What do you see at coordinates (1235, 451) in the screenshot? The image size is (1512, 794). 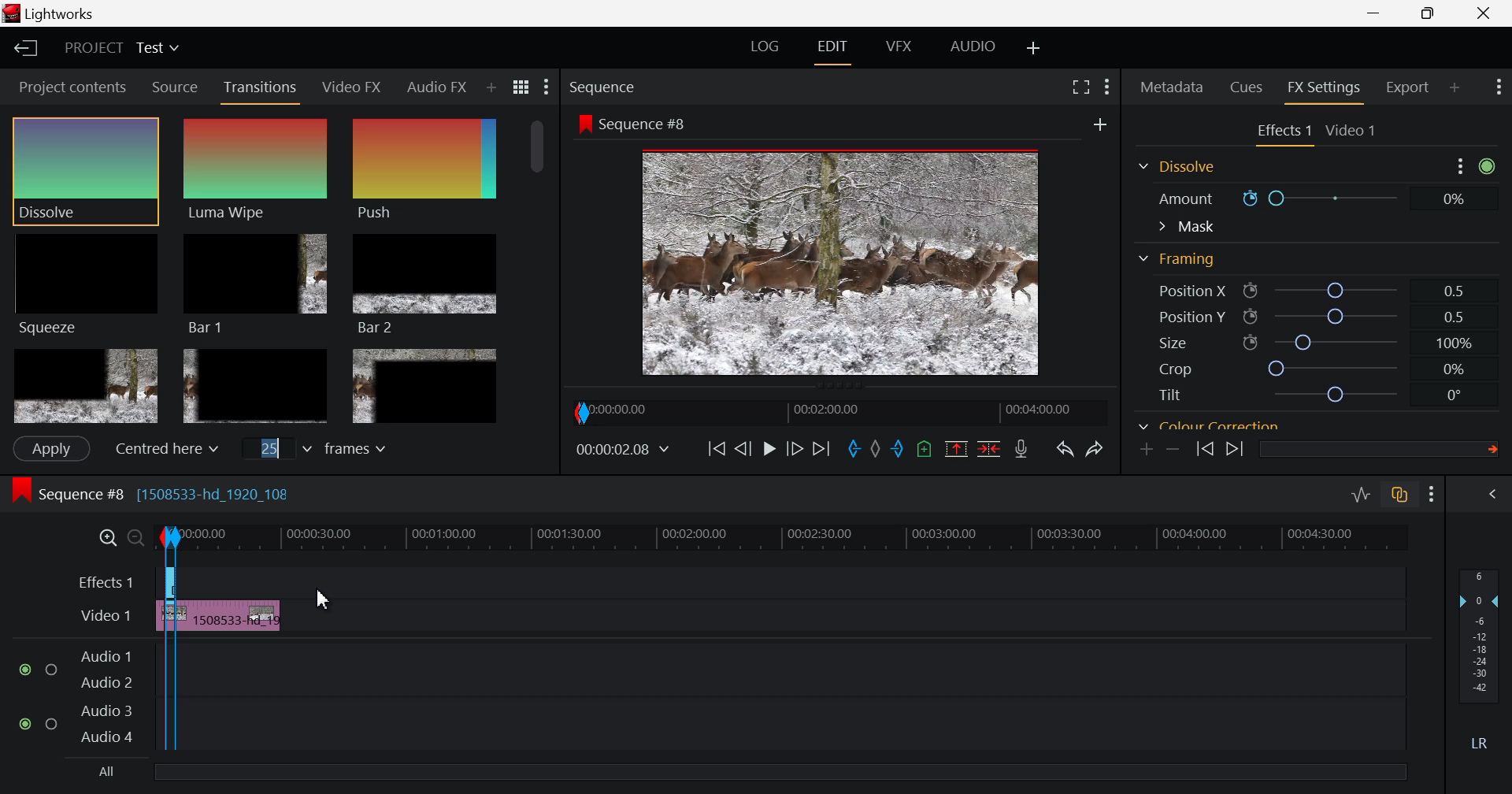 I see `Next keyframe` at bounding box center [1235, 451].